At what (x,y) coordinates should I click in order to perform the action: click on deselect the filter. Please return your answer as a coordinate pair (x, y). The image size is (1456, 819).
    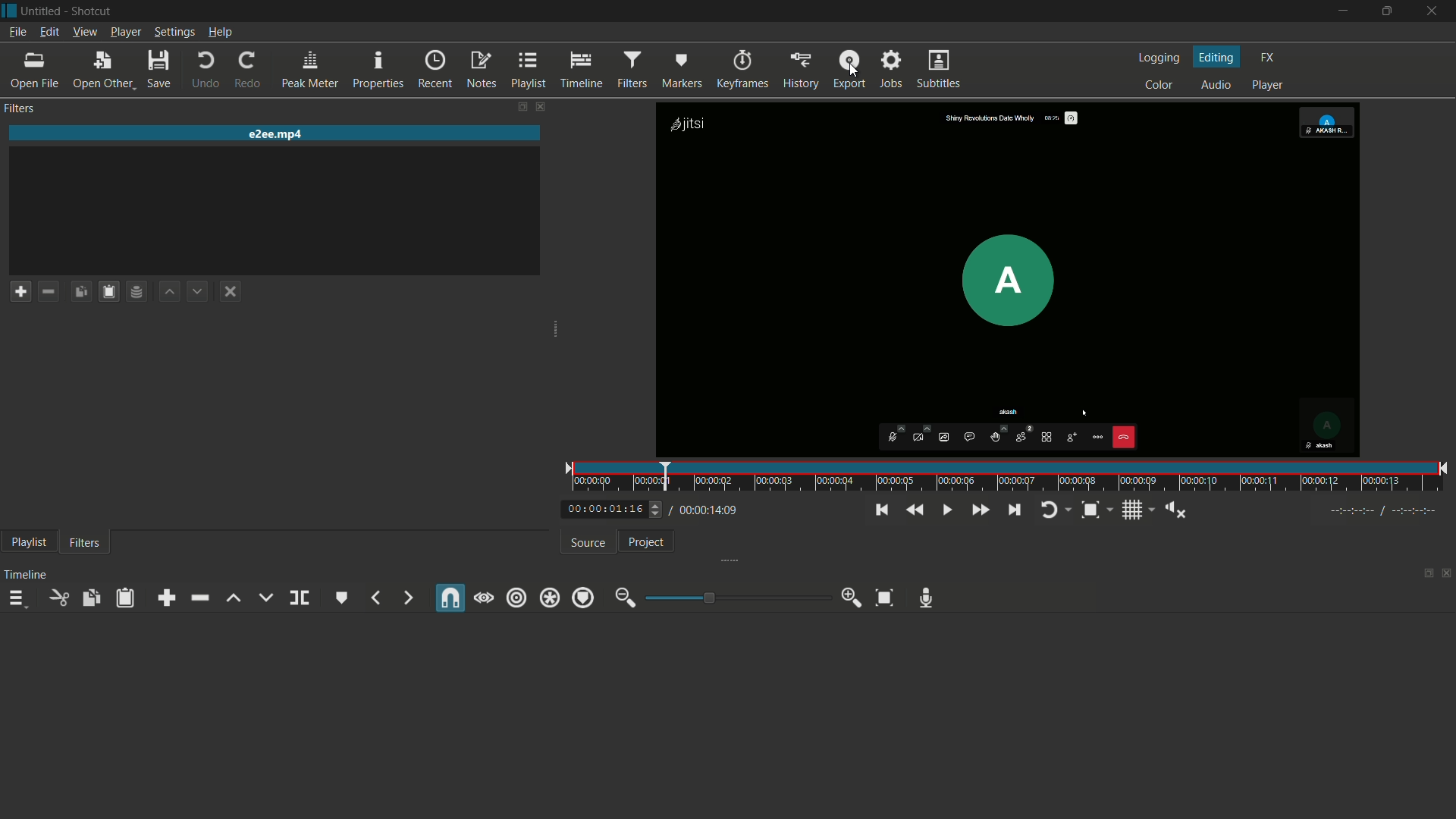
    Looking at the image, I should click on (231, 293).